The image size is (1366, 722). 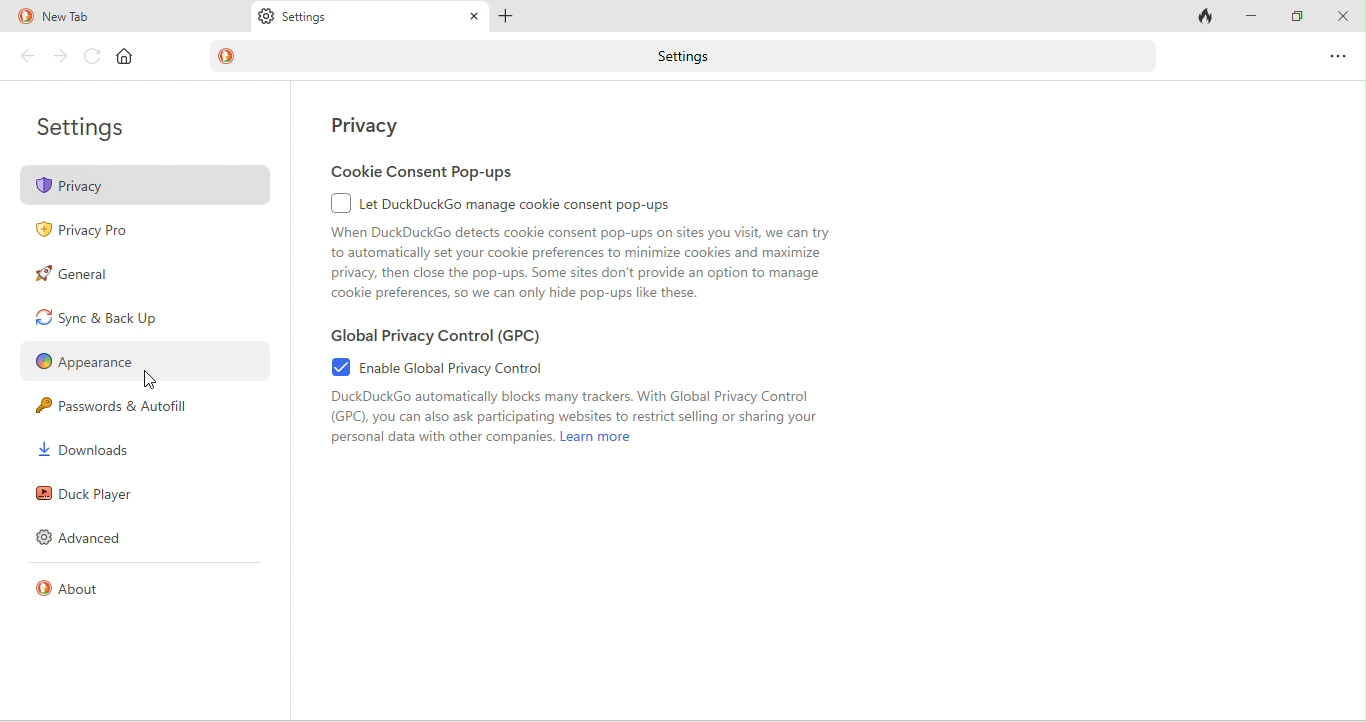 What do you see at coordinates (386, 127) in the screenshot?
I see `privacy` at bounding box center [386, 127].